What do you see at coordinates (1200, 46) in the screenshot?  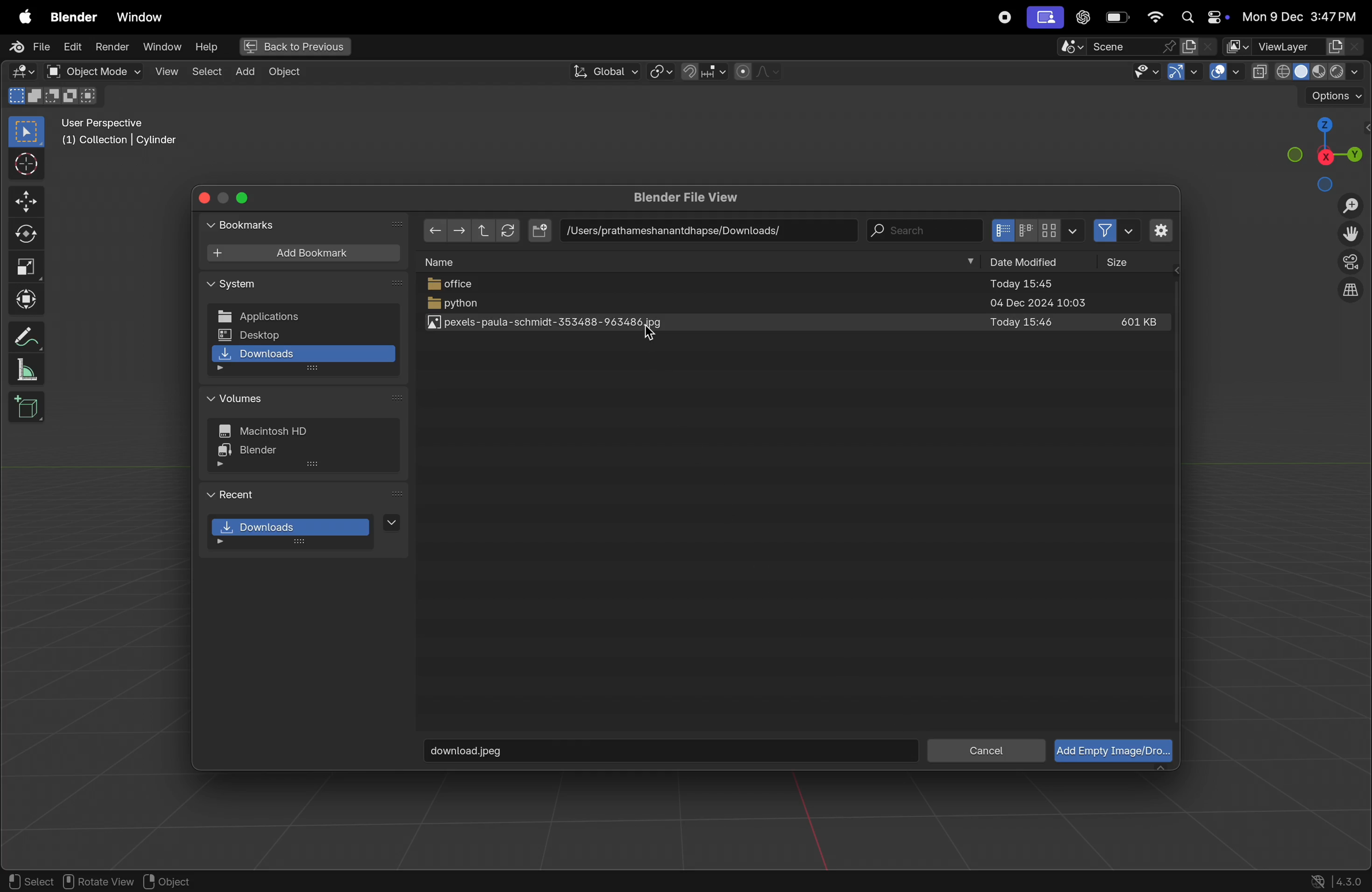 I see `active workspace` at bounding box center [1200, 46].